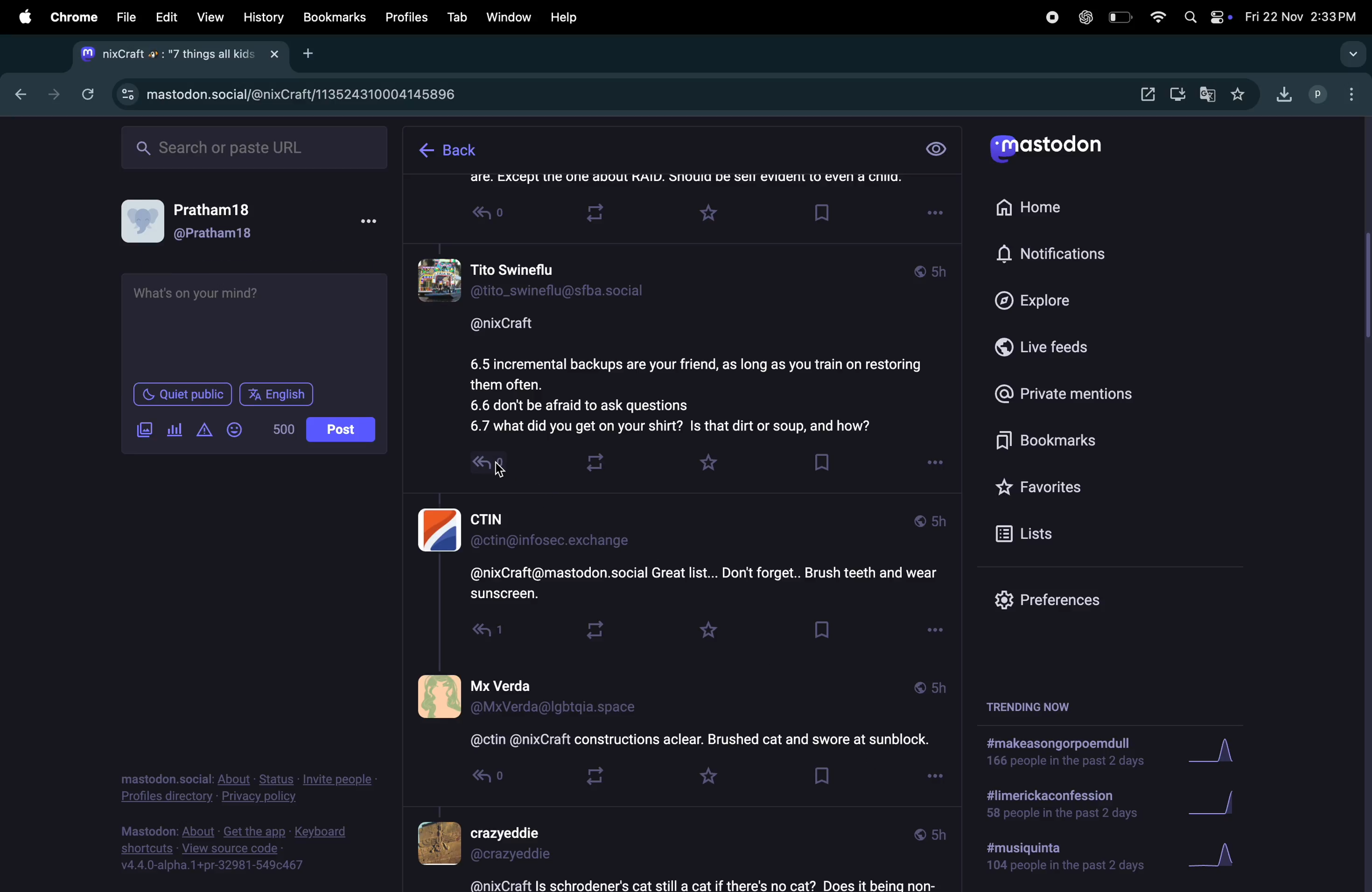 This screenshot has height=892, width=1372. What do you see at coordinates (1211, 96) in the screenshot?
I see `translate` at bounding box center [1211, 96].